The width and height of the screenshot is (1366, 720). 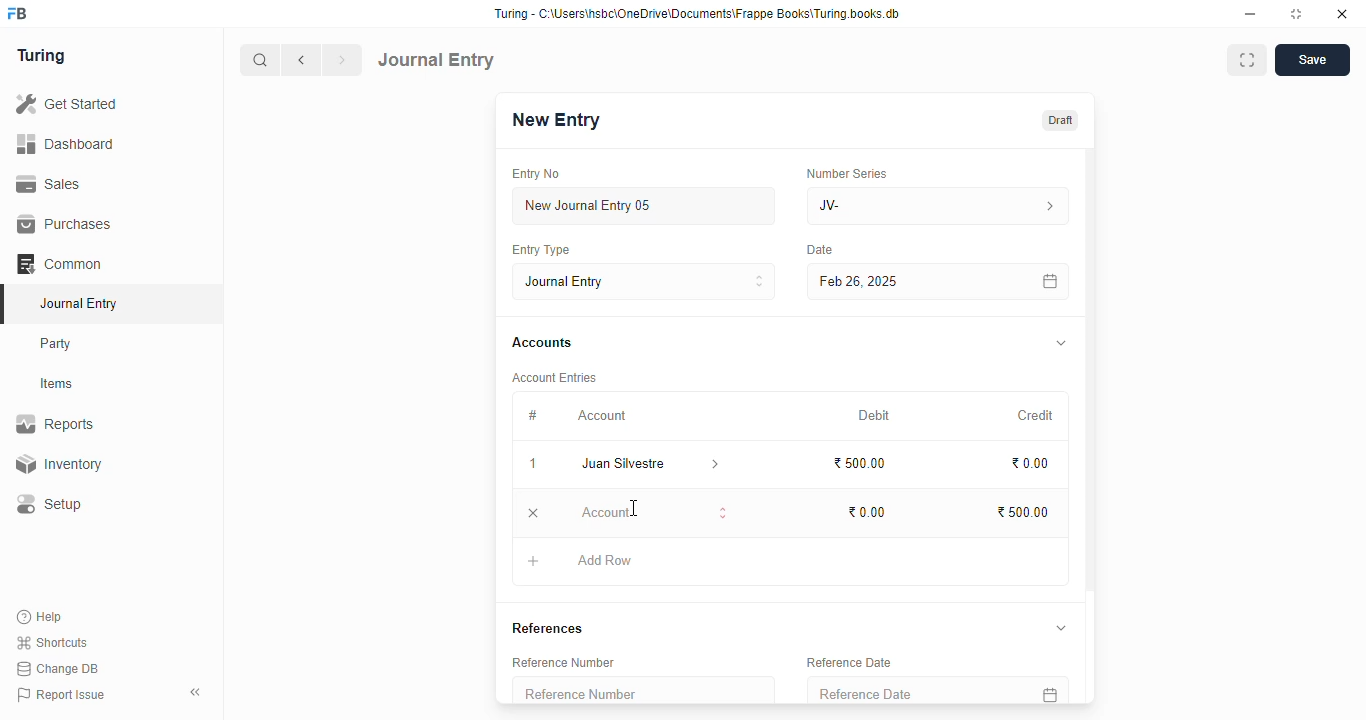 What do you see at coordinates (537, 174) in the screenshot?
I see `entry no` at bounding box center [537, 174].